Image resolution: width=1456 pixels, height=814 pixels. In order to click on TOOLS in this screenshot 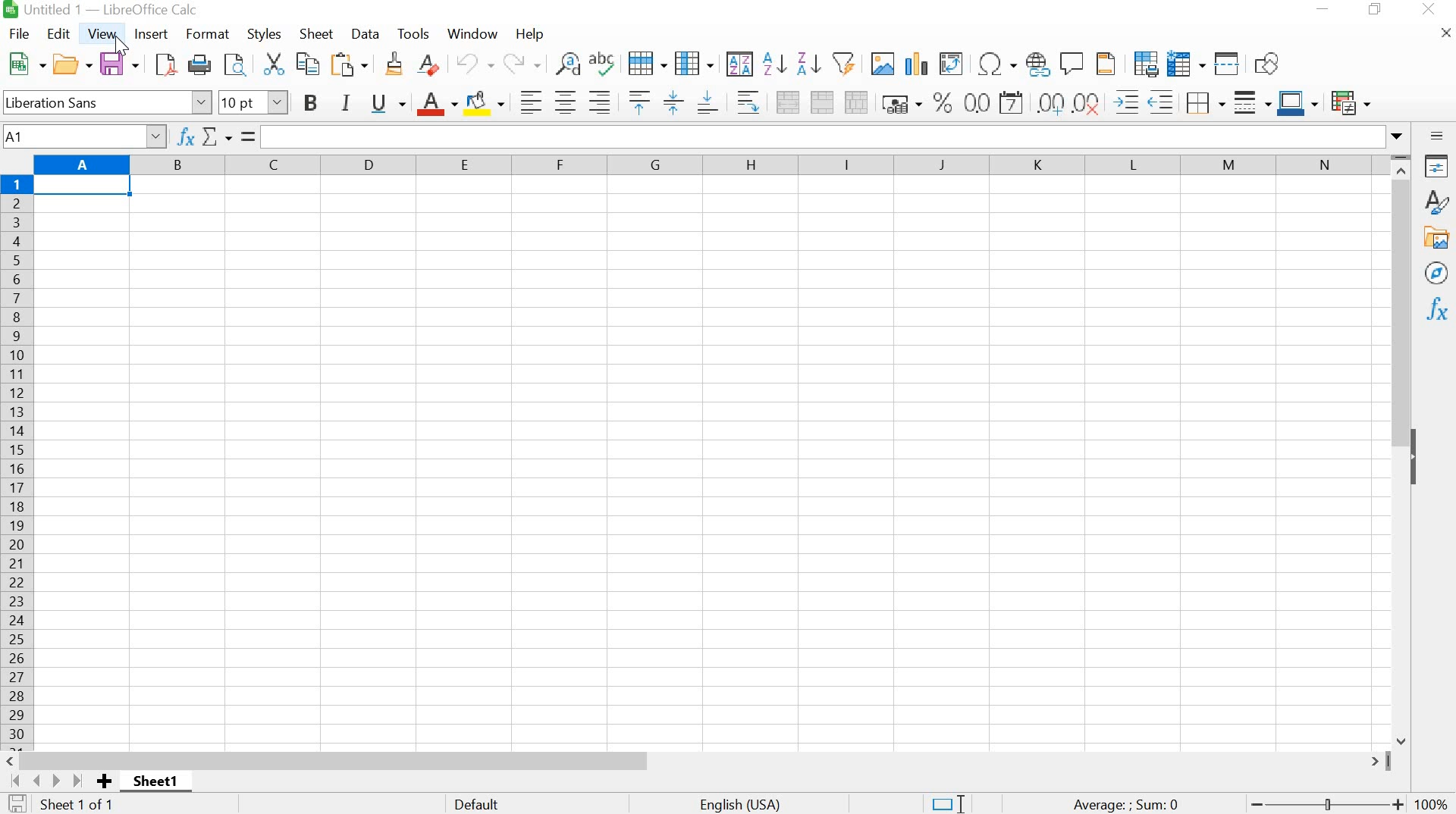, I will do `click(413, 32)`.